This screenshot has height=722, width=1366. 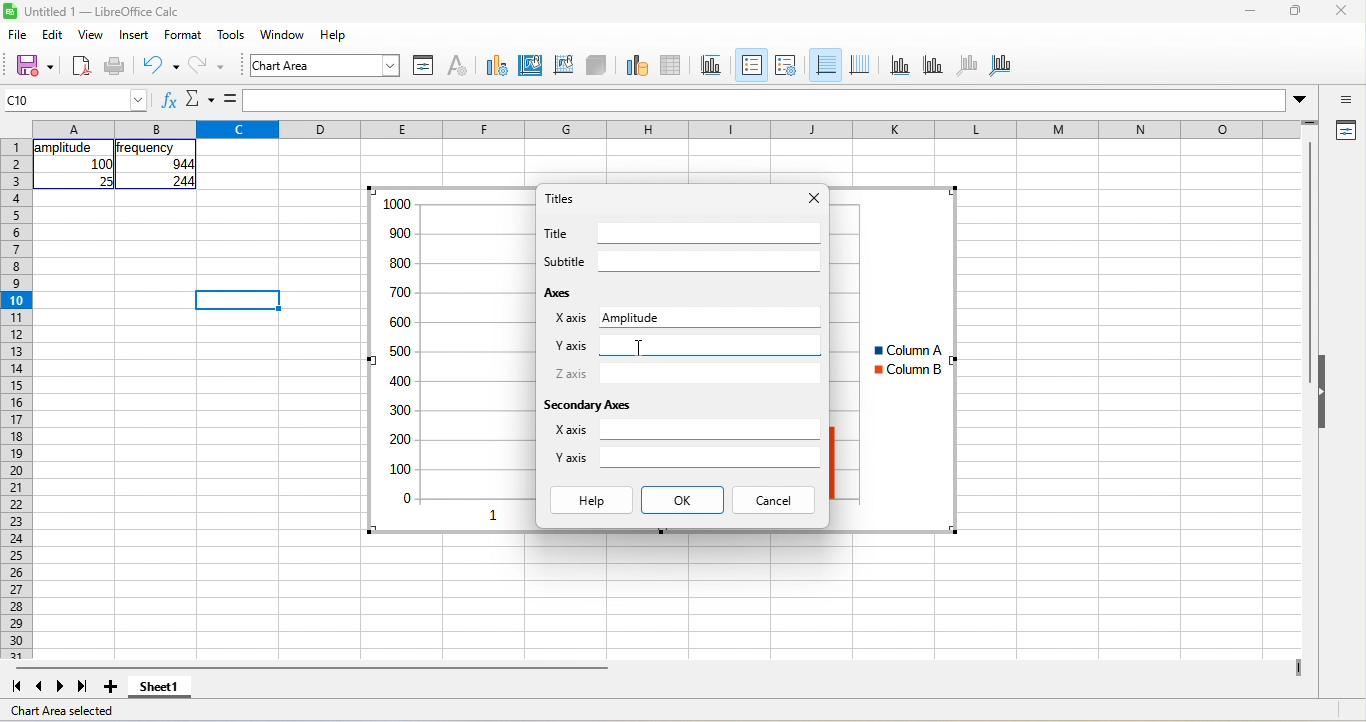 What do you see at coordinates (1322, 391) in the screenshot?
I see `Collapse/Expand` at bounding box center [1322, 391].